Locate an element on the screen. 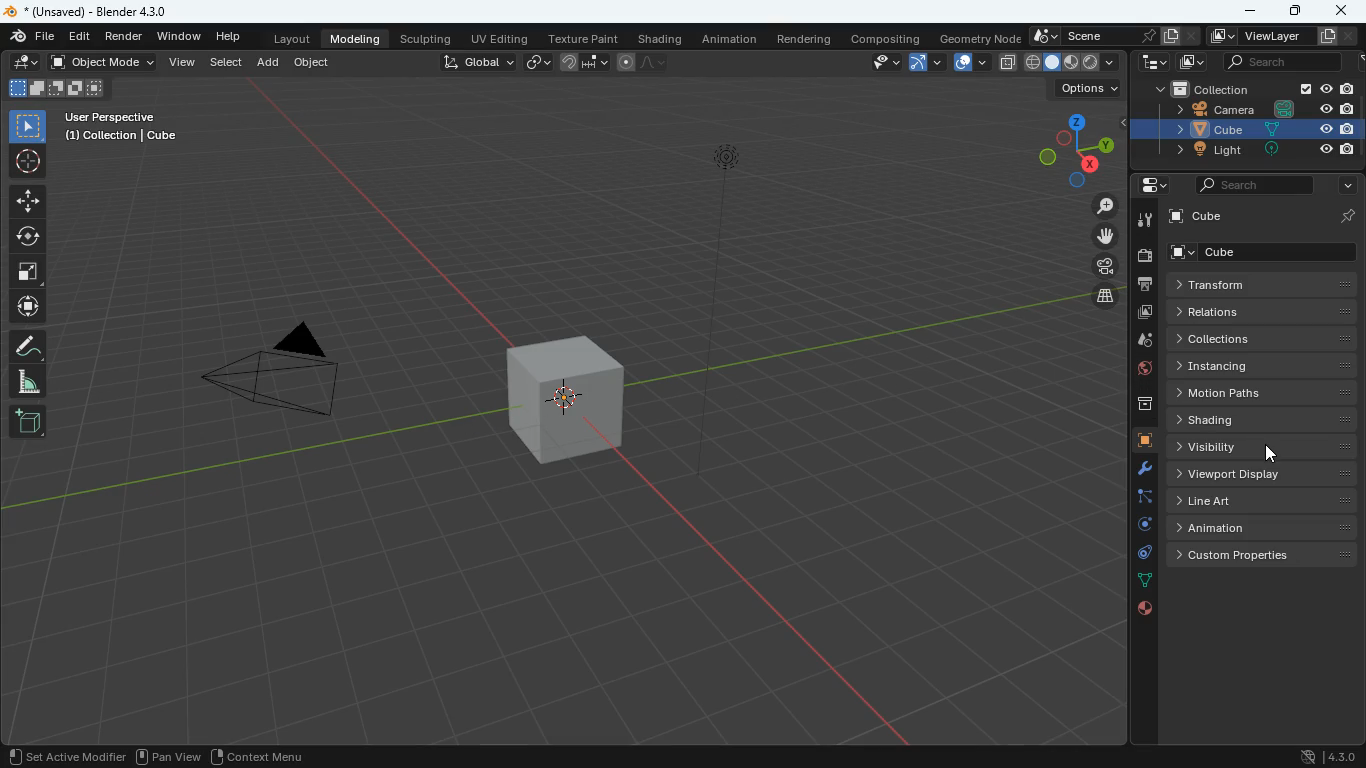 Image resolution: width=1366 pixels, height=768 pixels. overlap is located at coordinates (972, 61).